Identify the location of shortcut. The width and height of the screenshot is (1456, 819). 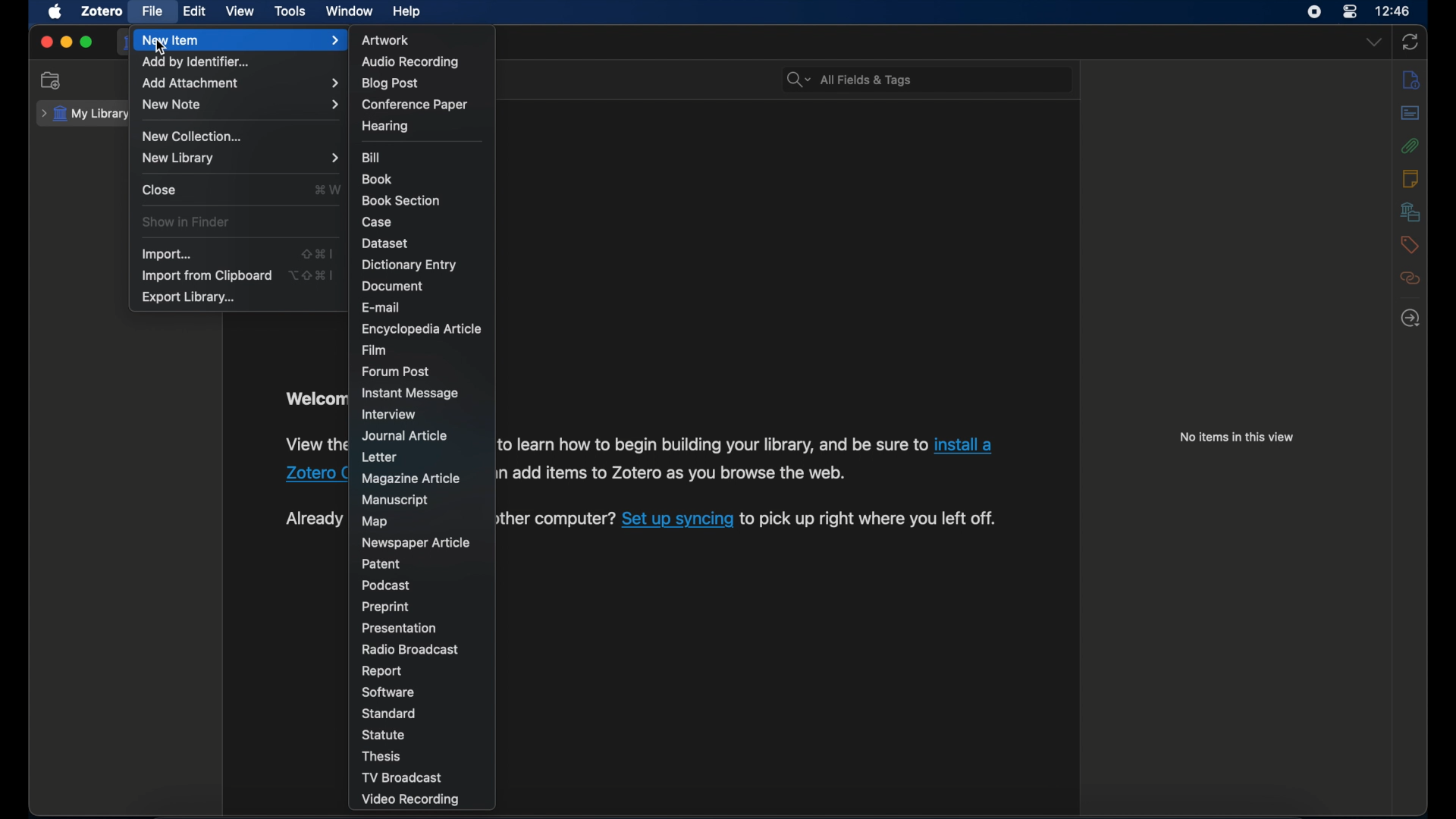
(314, 275).